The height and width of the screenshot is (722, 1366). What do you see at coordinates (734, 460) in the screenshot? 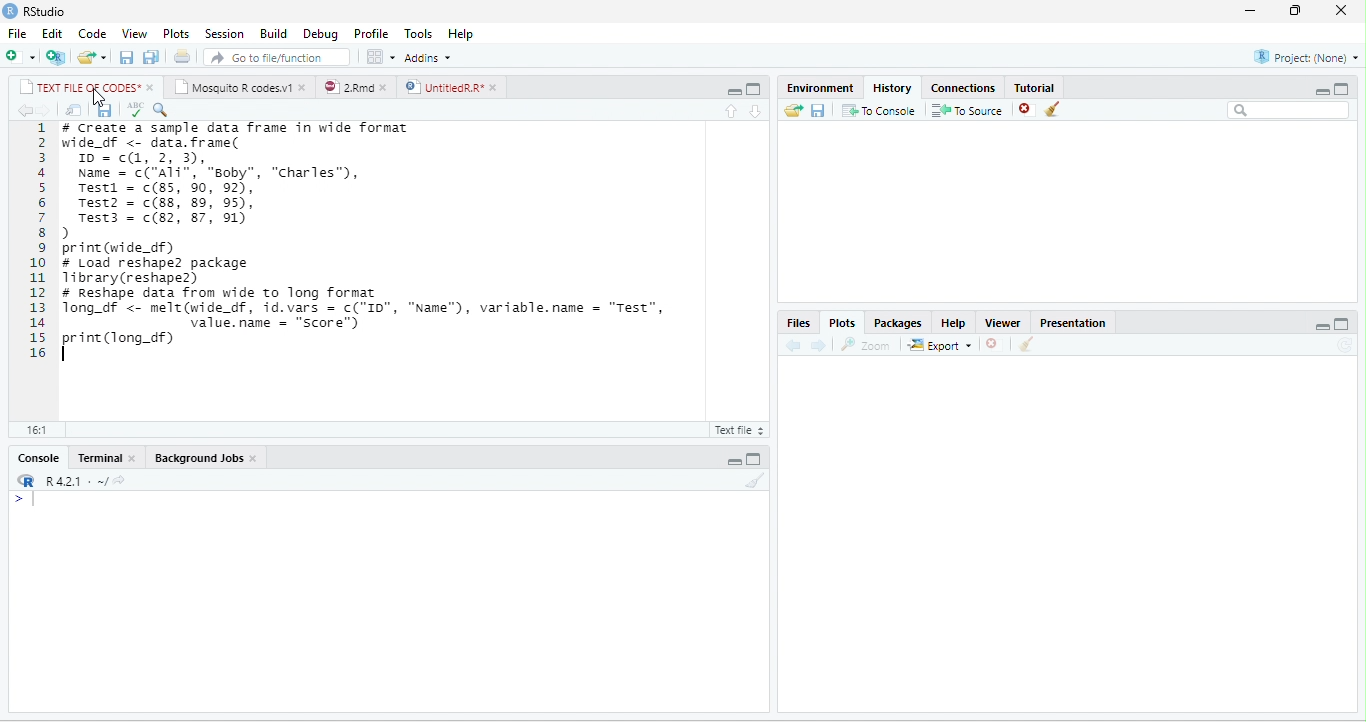
I see `minimize` at bounding box center [734, 460].